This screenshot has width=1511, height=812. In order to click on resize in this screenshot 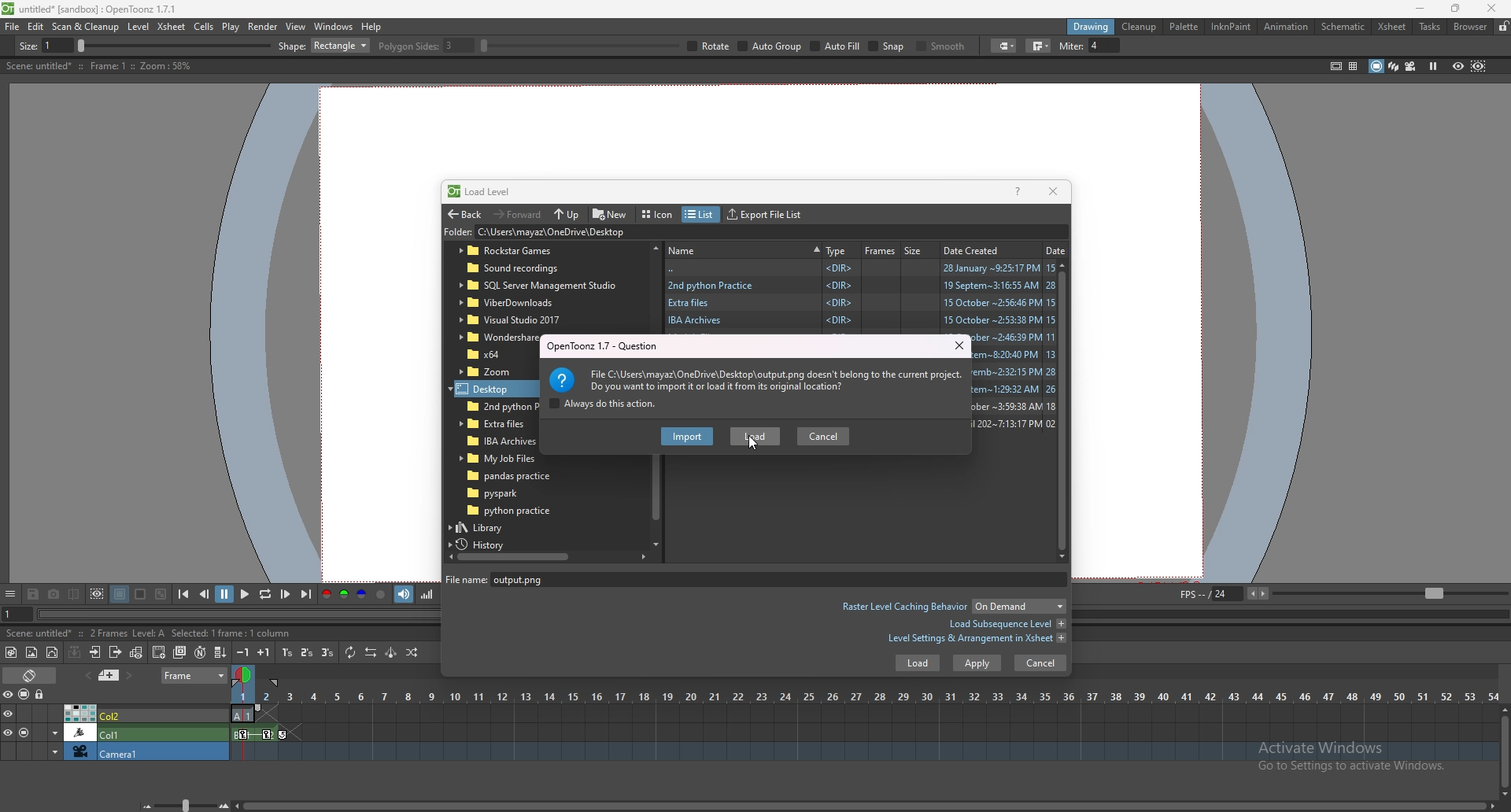, I will do `click(1455, 9)`.